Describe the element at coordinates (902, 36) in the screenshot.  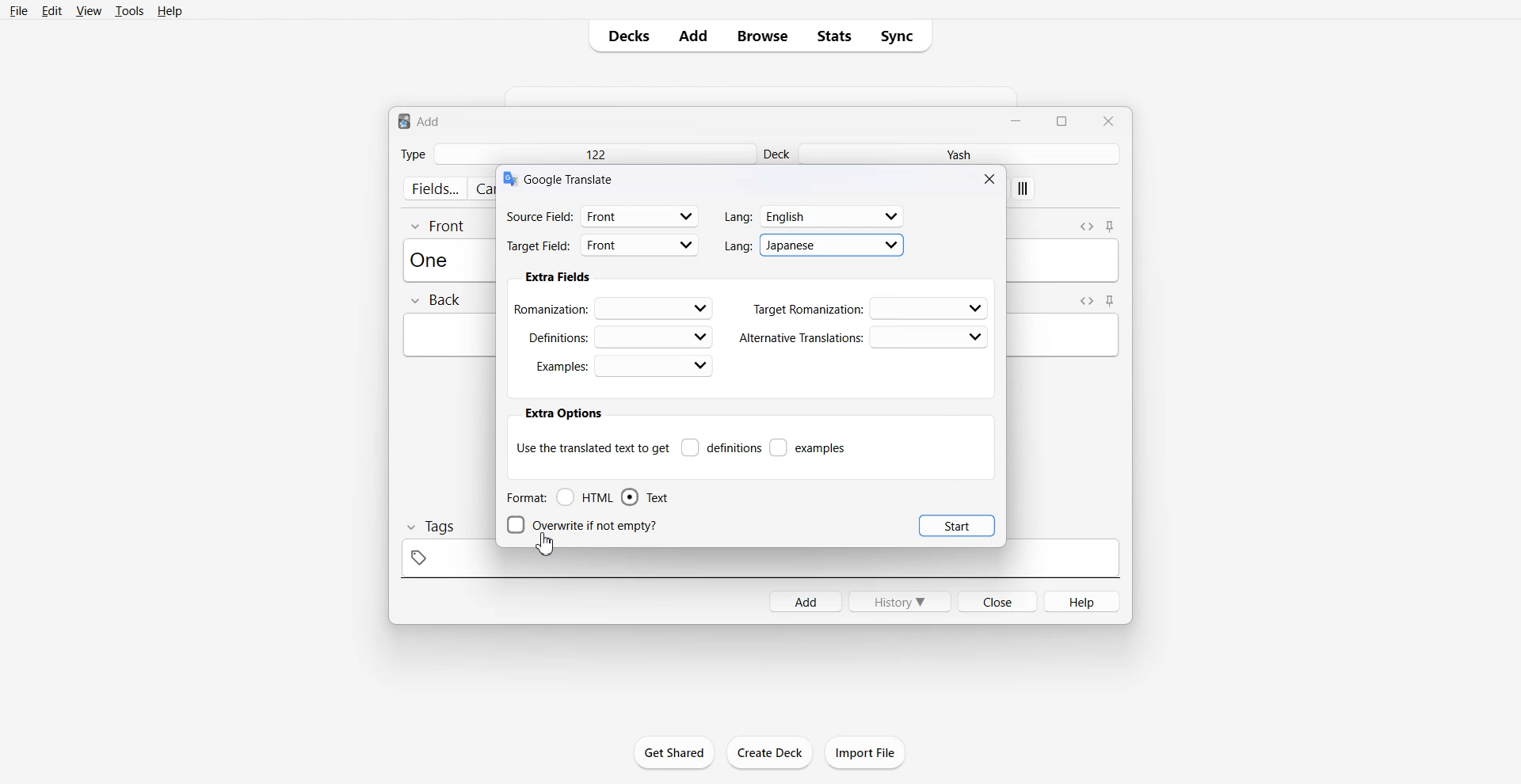
I see `Sync` at that location.